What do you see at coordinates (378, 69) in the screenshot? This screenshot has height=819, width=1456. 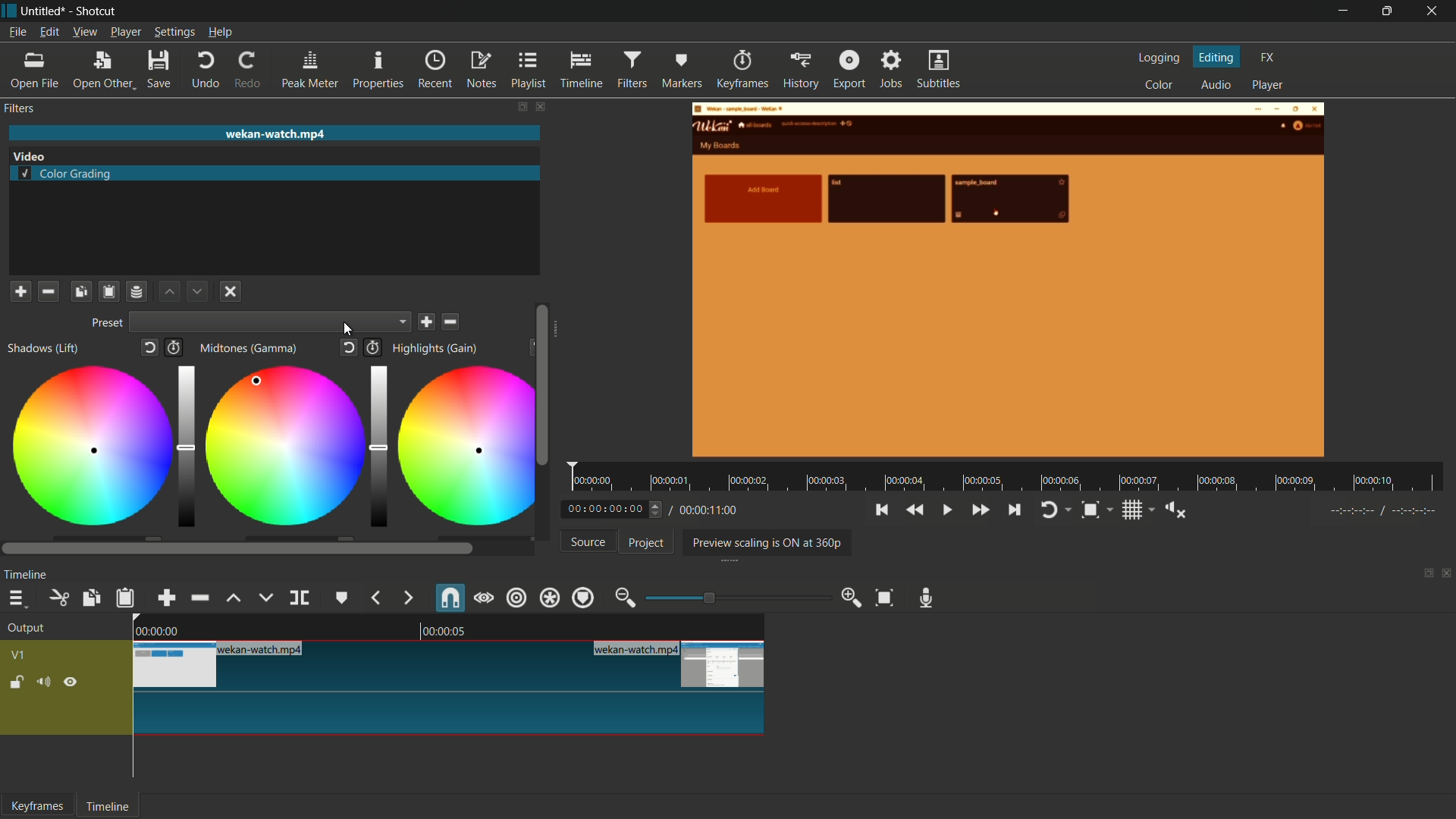 I see `properties` at bounding box center [378, 69].